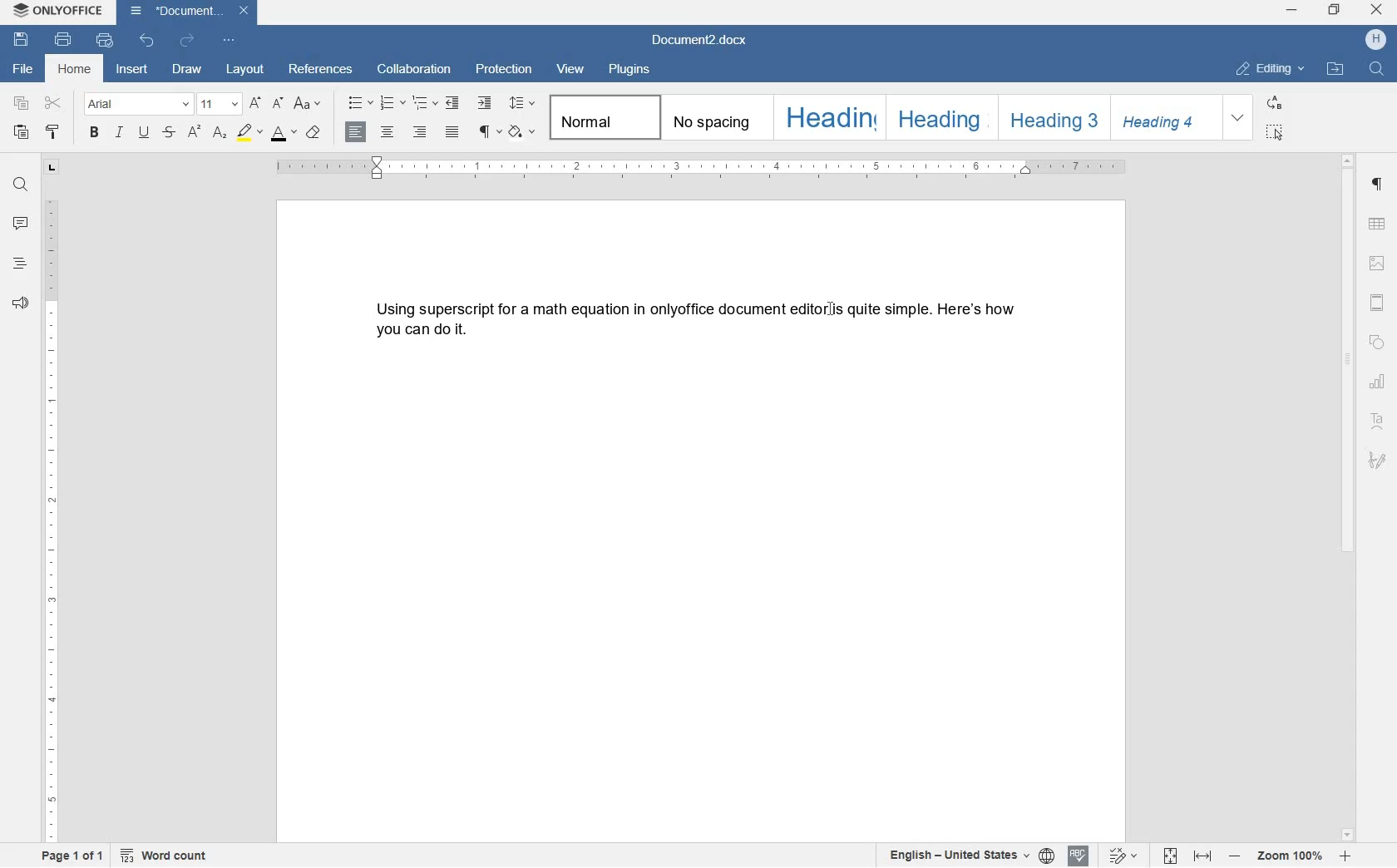  Describe the element at coordinates (1291, 856) in the screenshot. I see `zoom in or zoom out` at that location.